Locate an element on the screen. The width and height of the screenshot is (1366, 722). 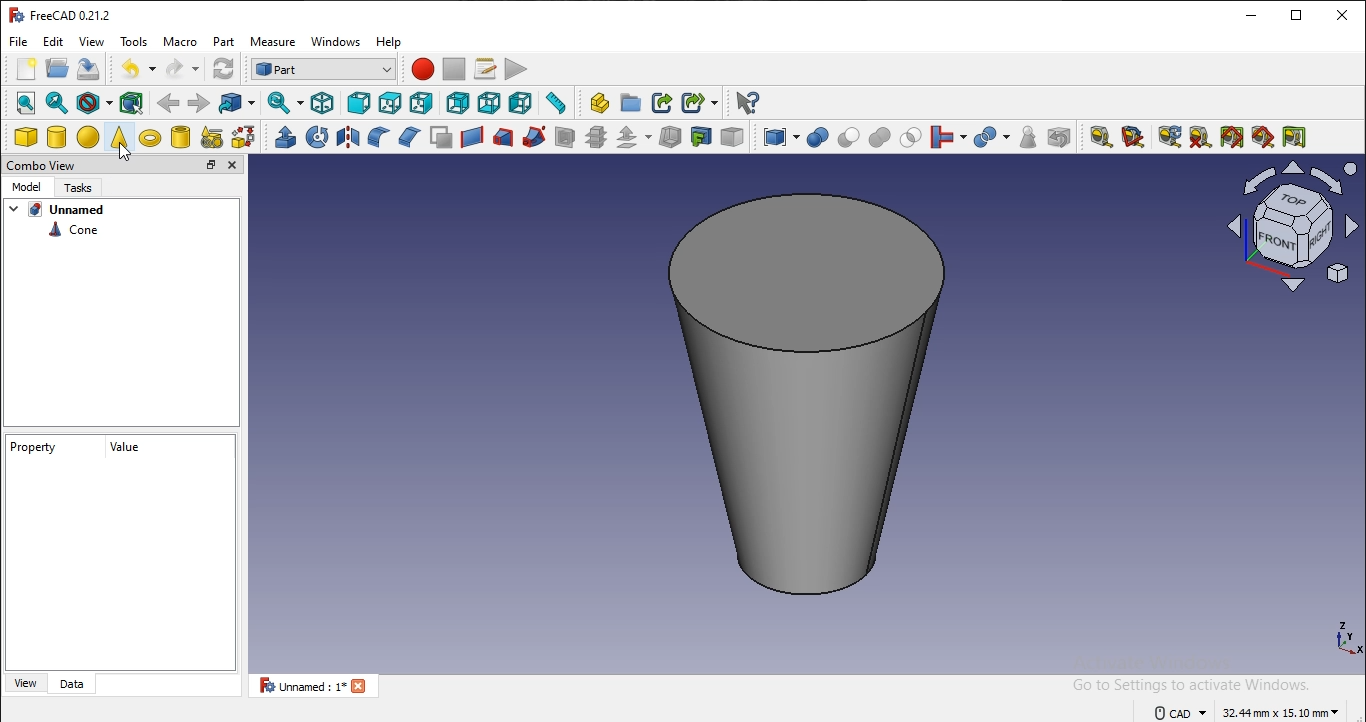
dara is located at coordinates (76, 682).